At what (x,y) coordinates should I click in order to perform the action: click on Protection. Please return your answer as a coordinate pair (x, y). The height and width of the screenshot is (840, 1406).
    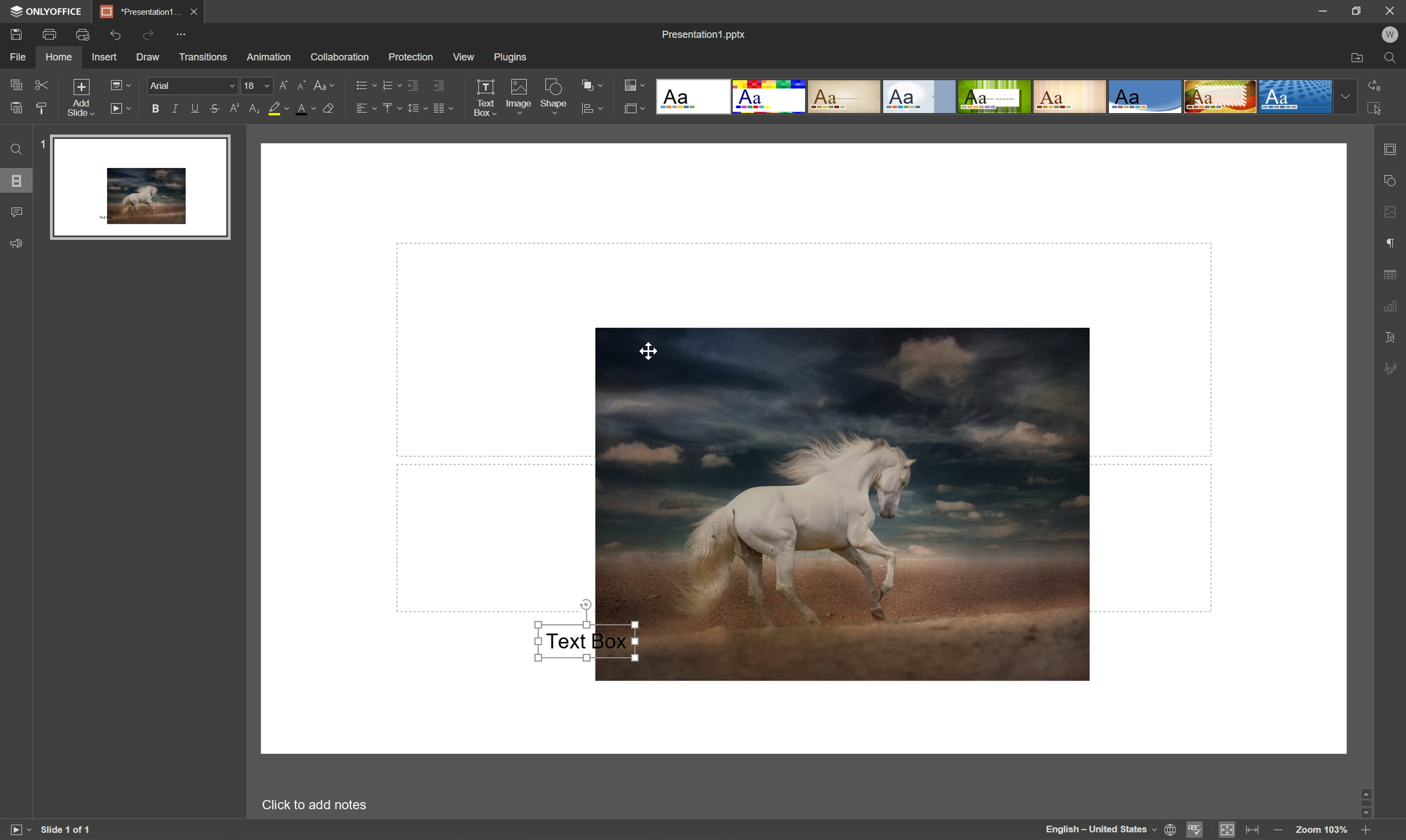
    Looking at the image, I should click on (411, 57).